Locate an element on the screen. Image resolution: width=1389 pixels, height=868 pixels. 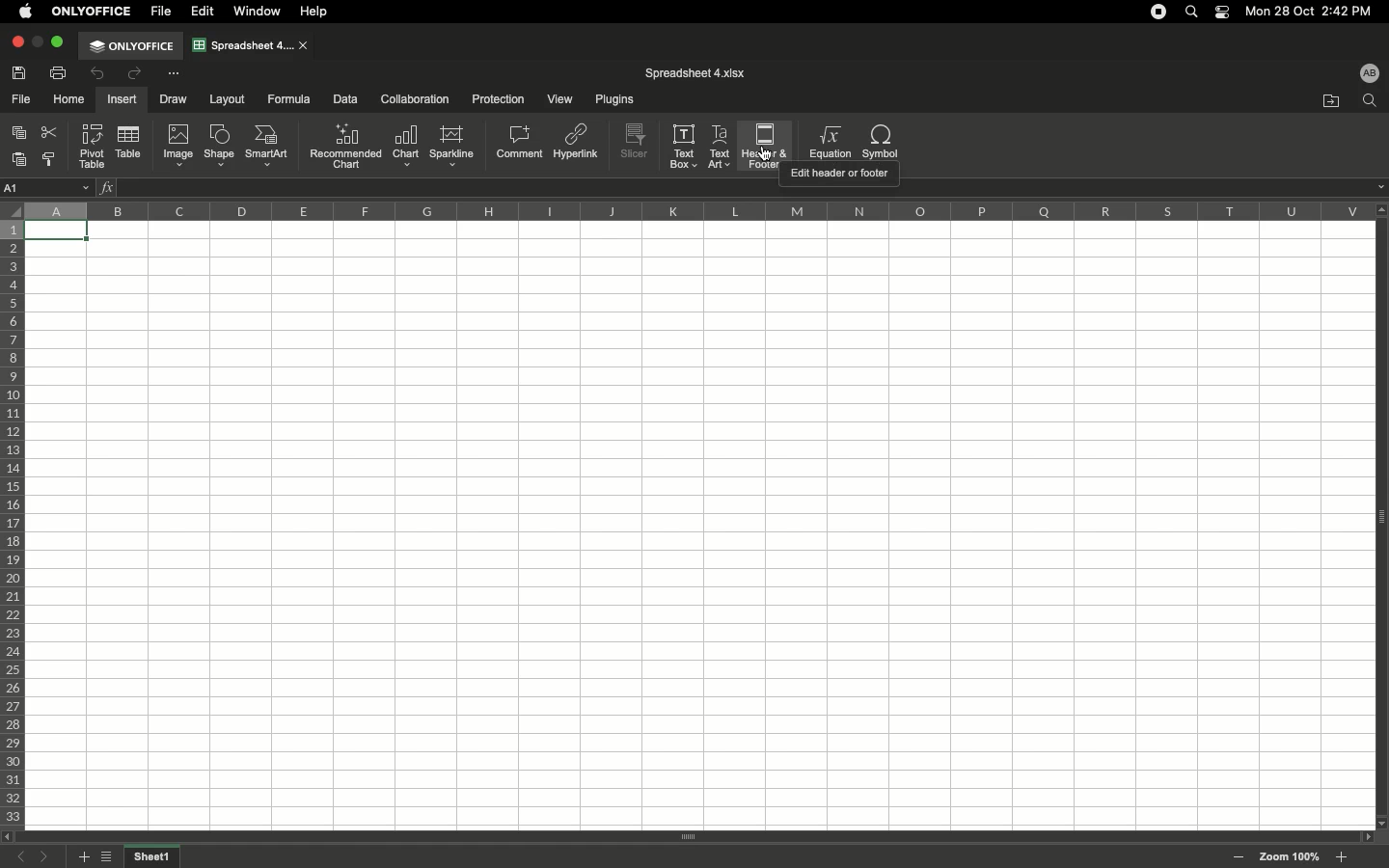
List of sheets is located at coordinates (111, 858).